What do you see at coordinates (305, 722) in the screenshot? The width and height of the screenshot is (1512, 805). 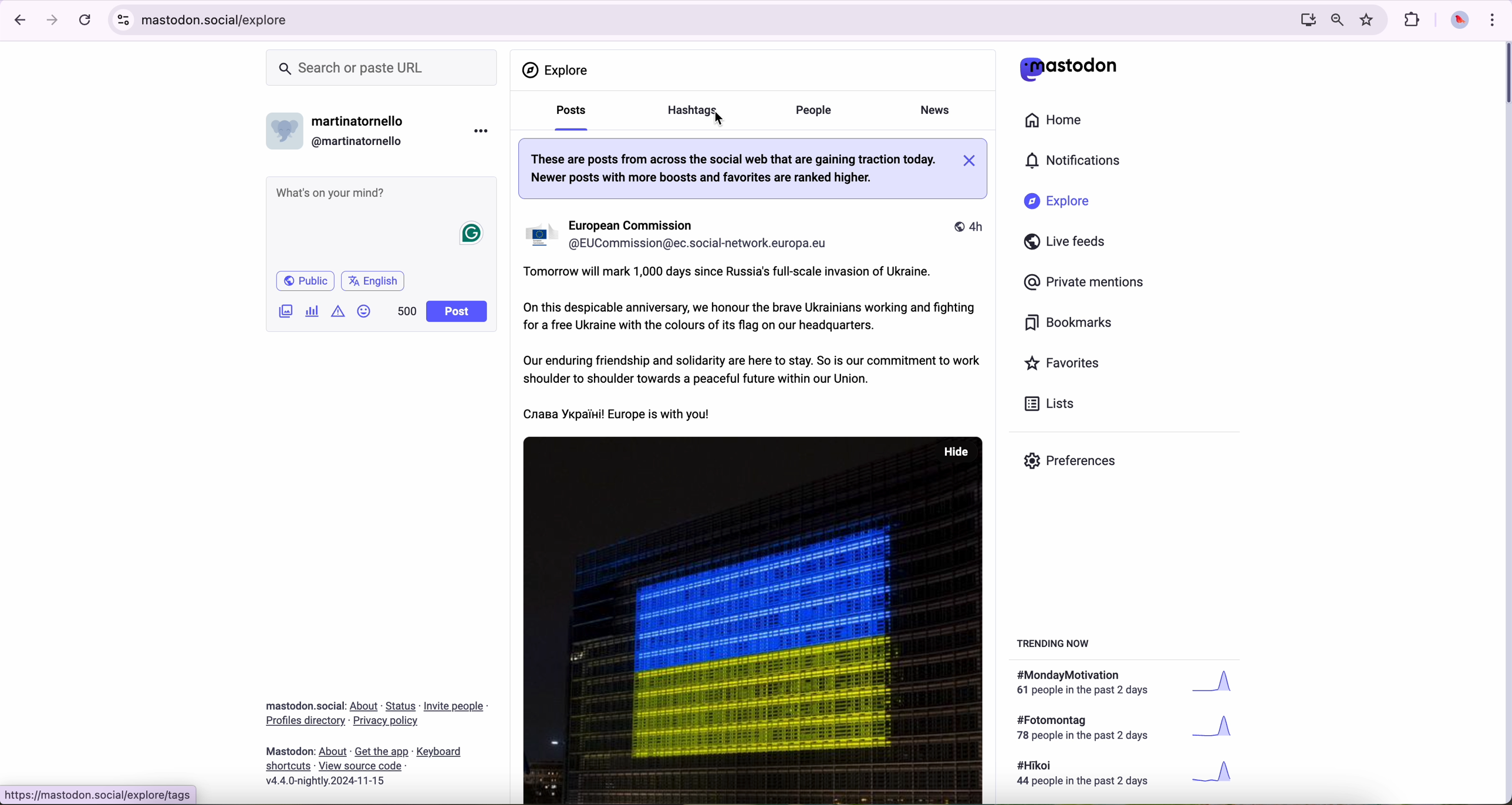 I see `link` at bounding box center [305, 722].